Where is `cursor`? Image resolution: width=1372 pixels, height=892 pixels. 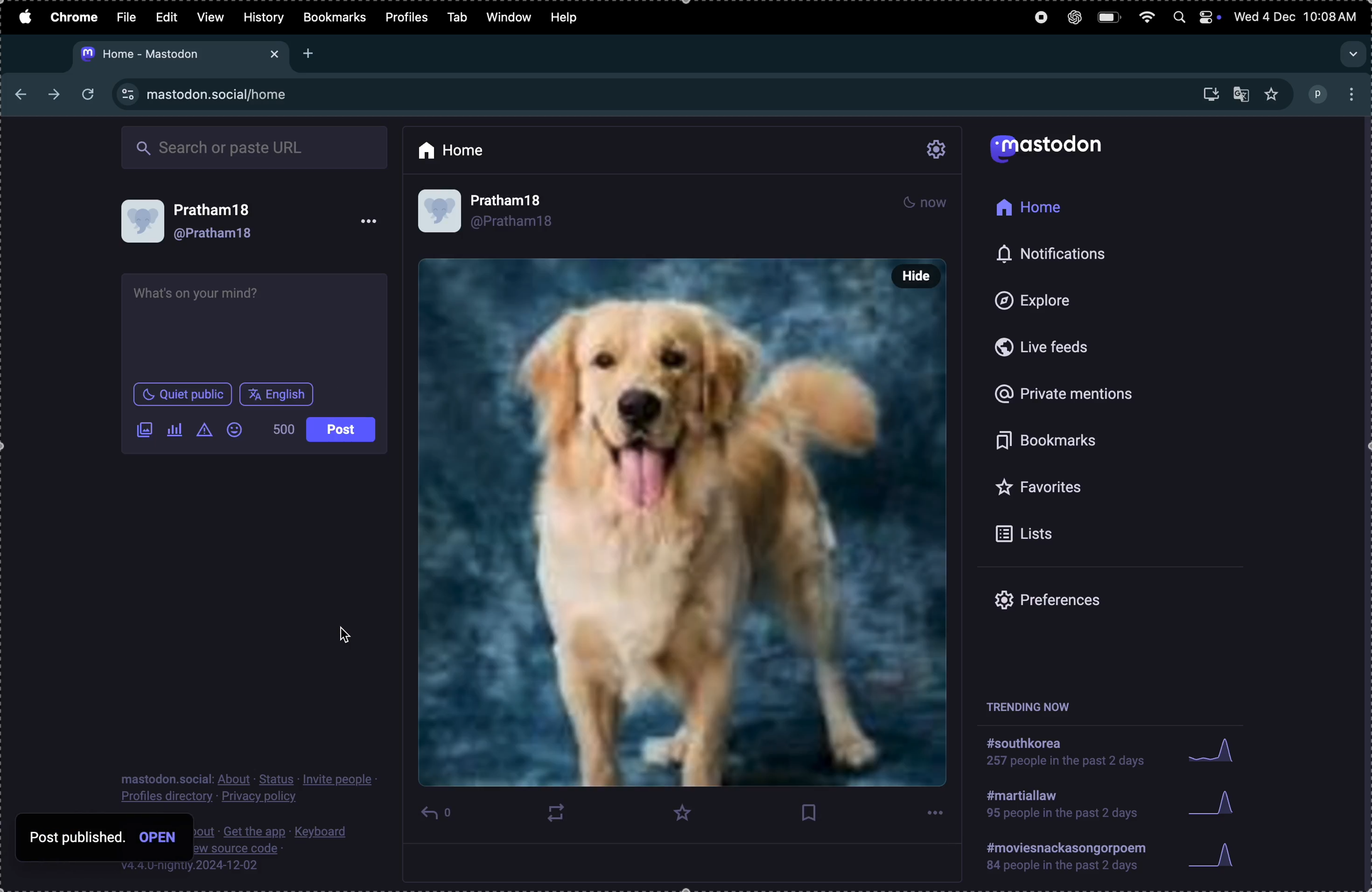 cursor is located at coordinates (348, 636).